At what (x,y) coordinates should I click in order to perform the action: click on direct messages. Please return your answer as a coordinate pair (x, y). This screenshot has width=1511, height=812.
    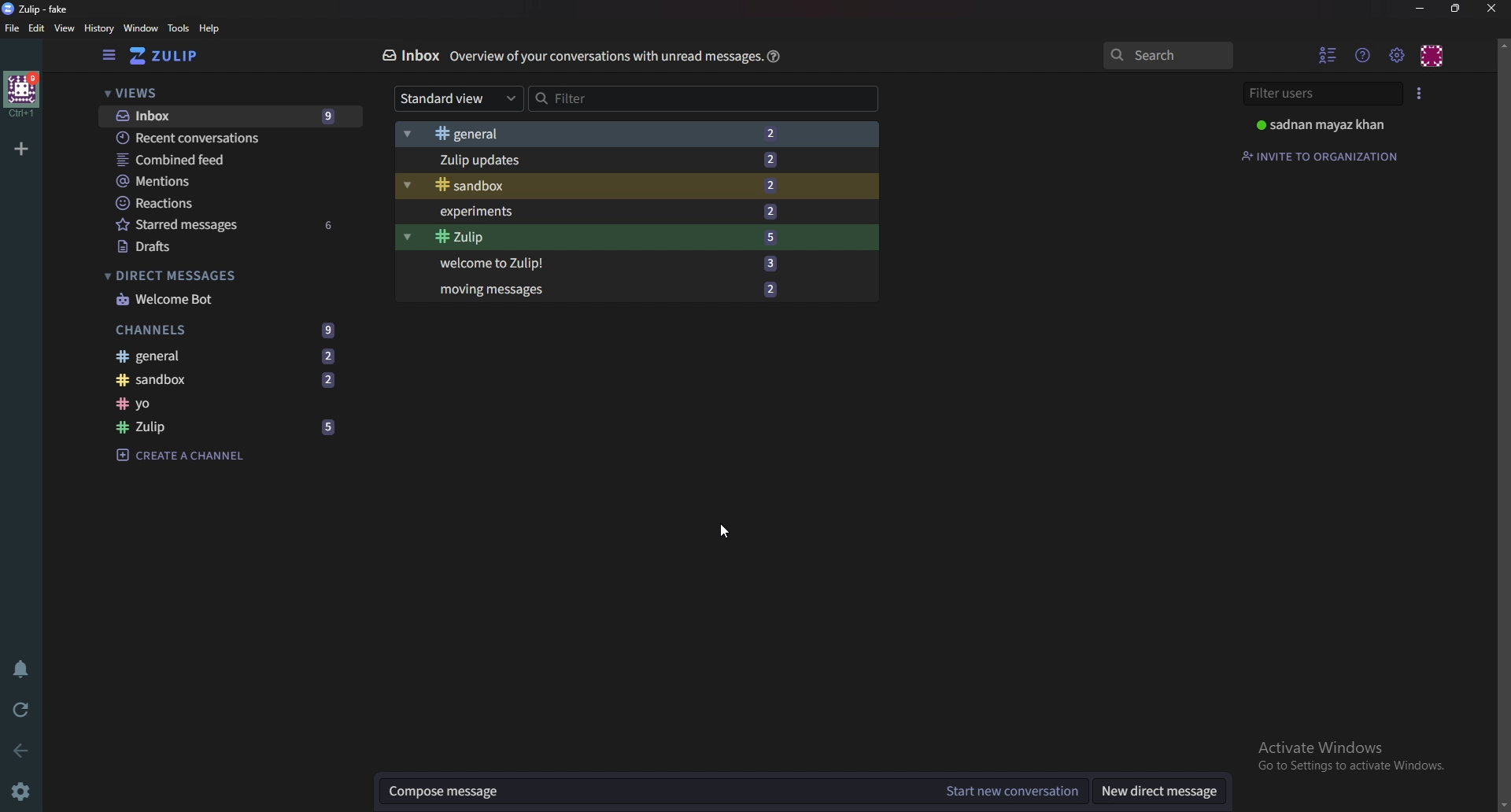
    Looking at the image, I should click on (202, 275).